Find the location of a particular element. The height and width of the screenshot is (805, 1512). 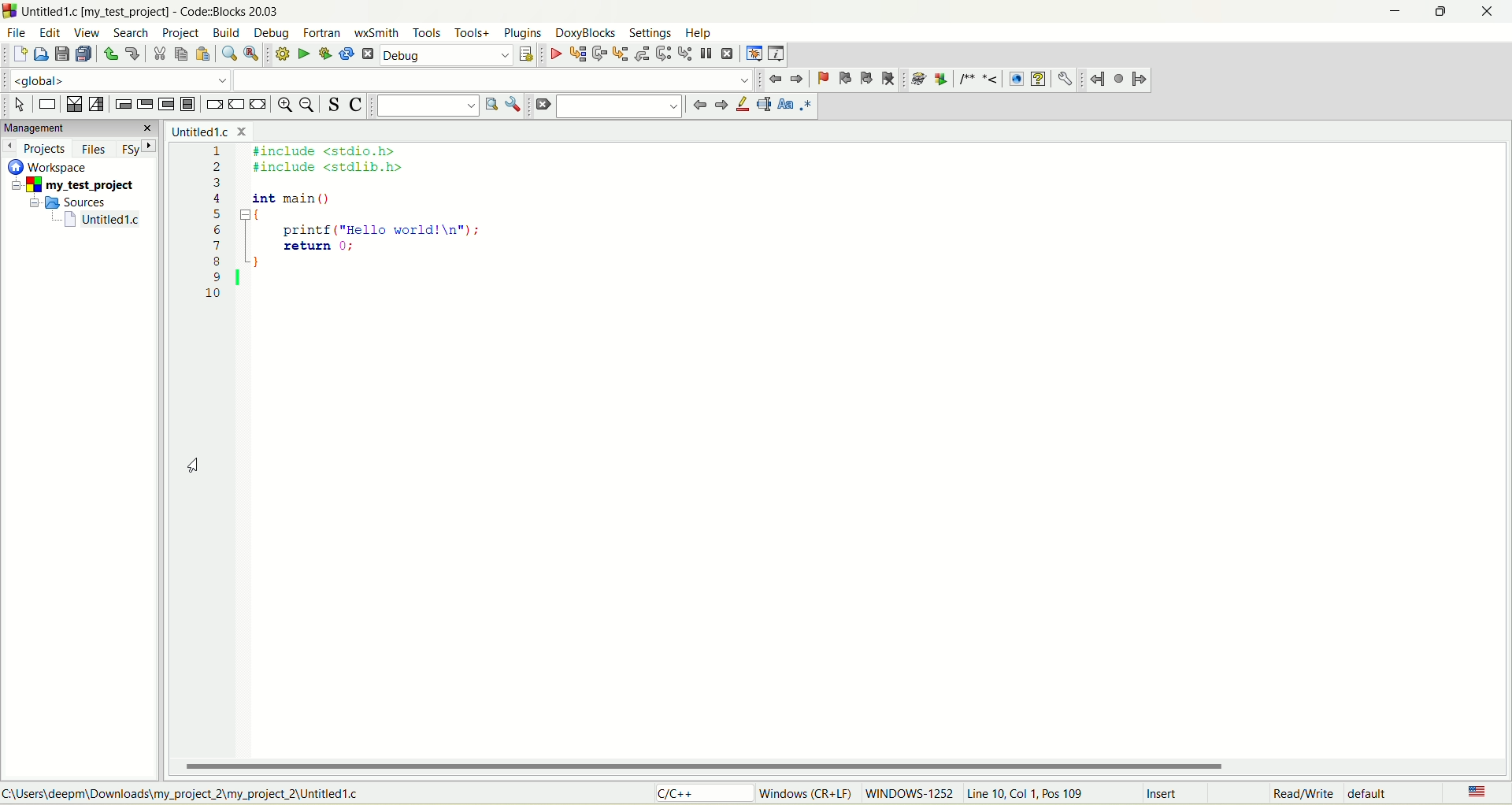

blank space is located at coordinates (618, 106).